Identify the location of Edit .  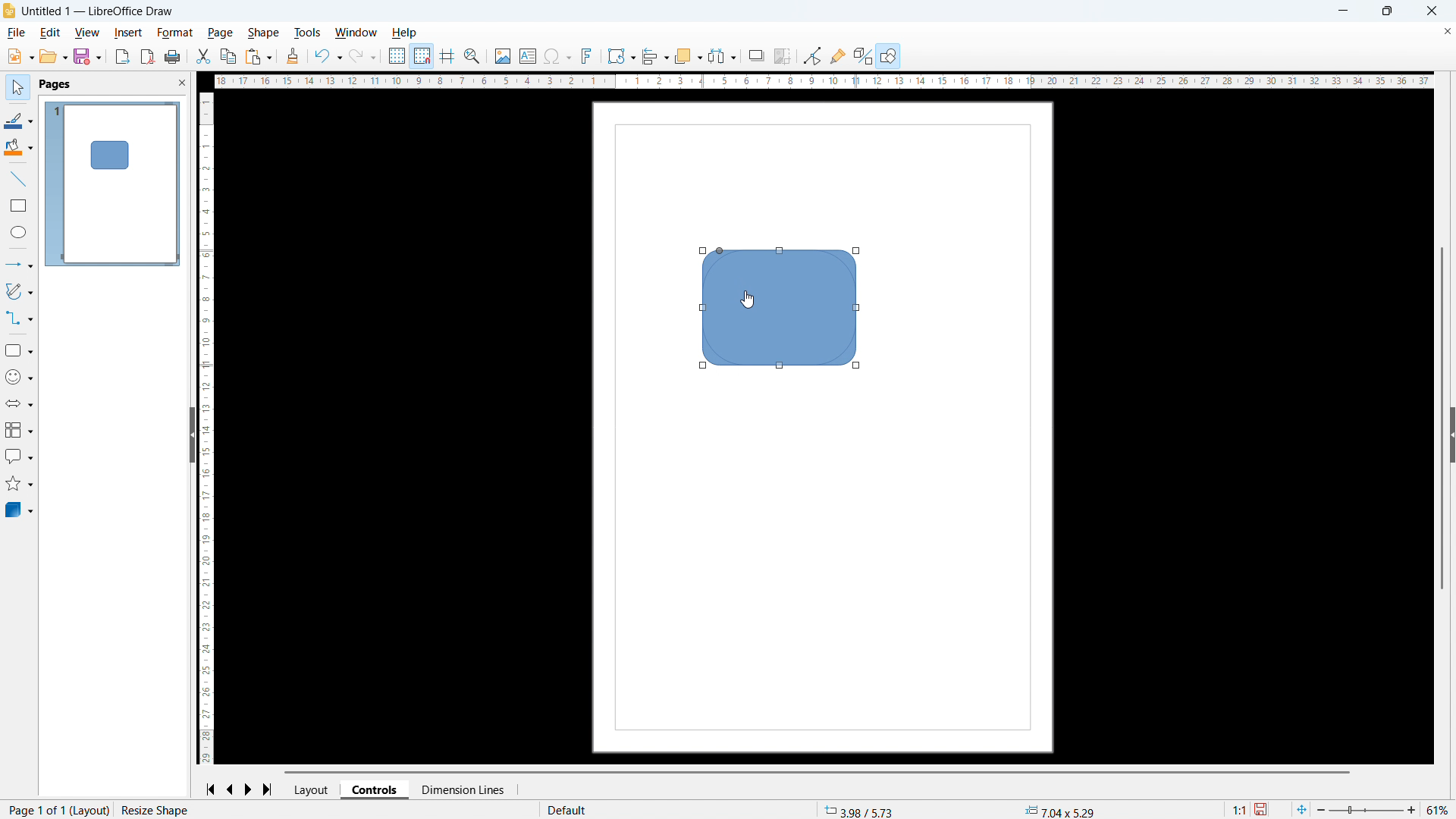
(49, 32).